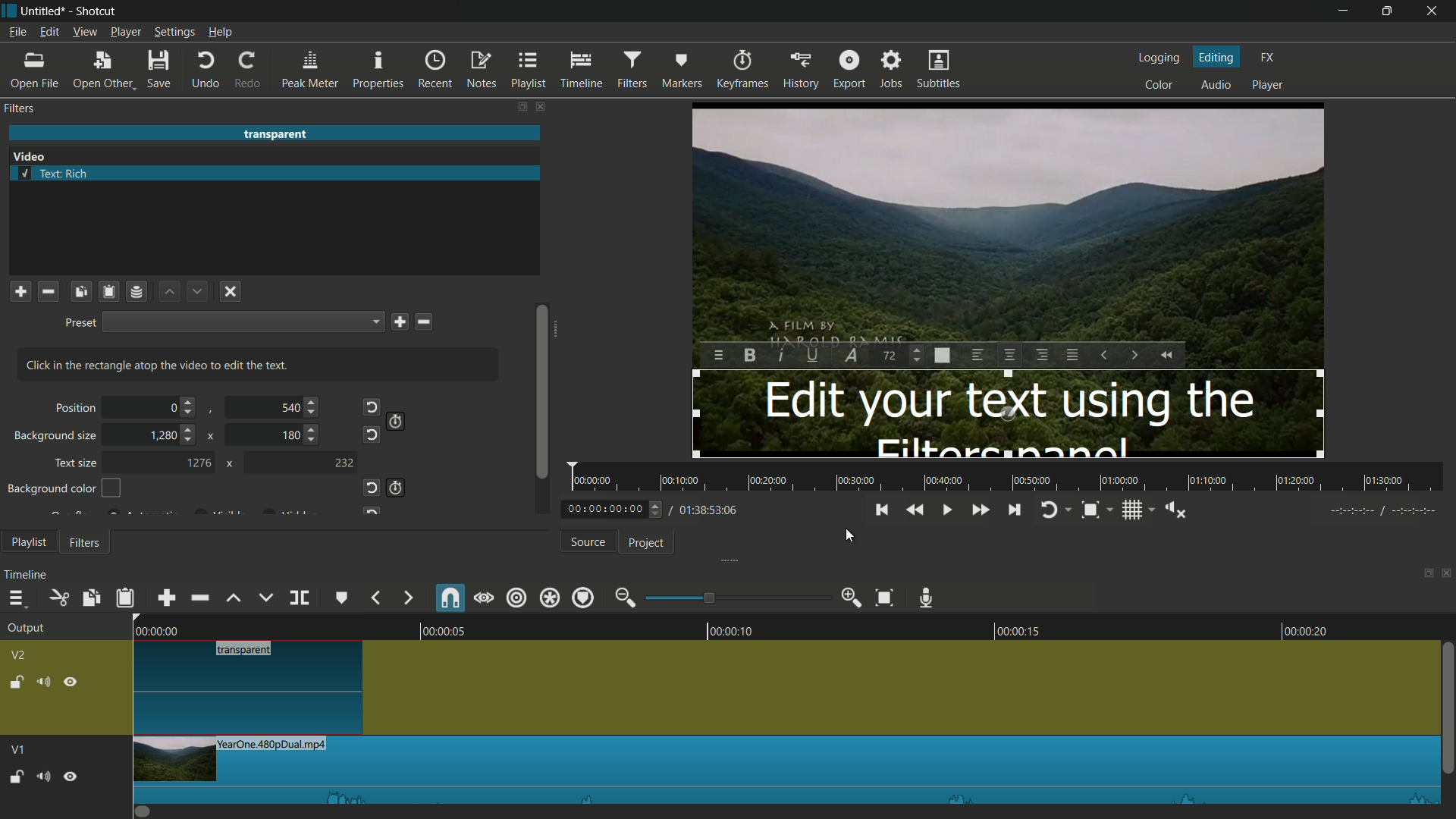 Image resolution: width=1456 pixels, height=819 pixels. What do you see at coordinates (372, 487) in the screenshot?
I see `reset to default` at bounding box center [372, 487].